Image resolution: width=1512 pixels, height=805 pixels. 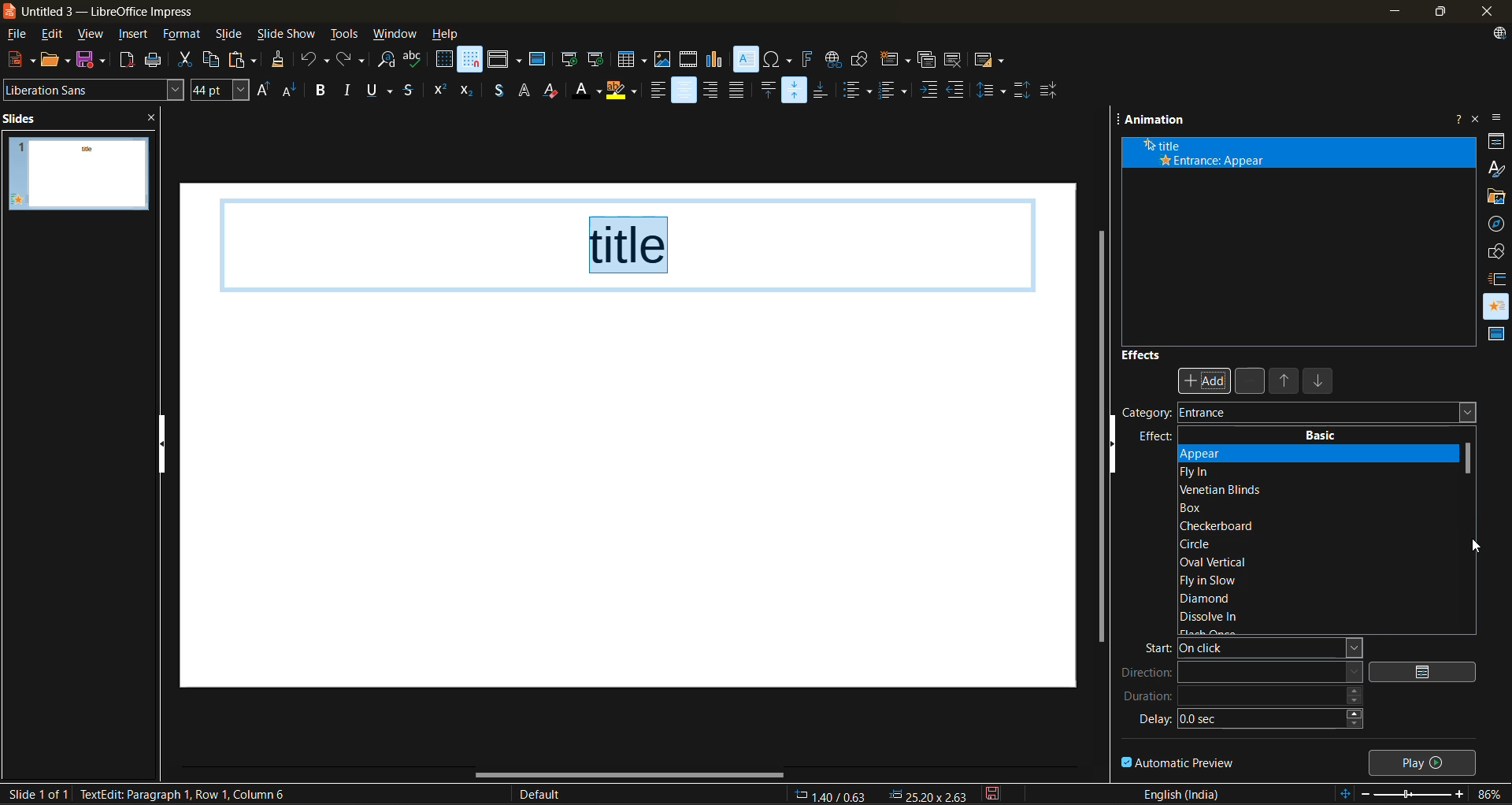 What do you see at coordinates (881, 793) in the screenshot?
I see `co ordininates` at bounding box center [881, 793].